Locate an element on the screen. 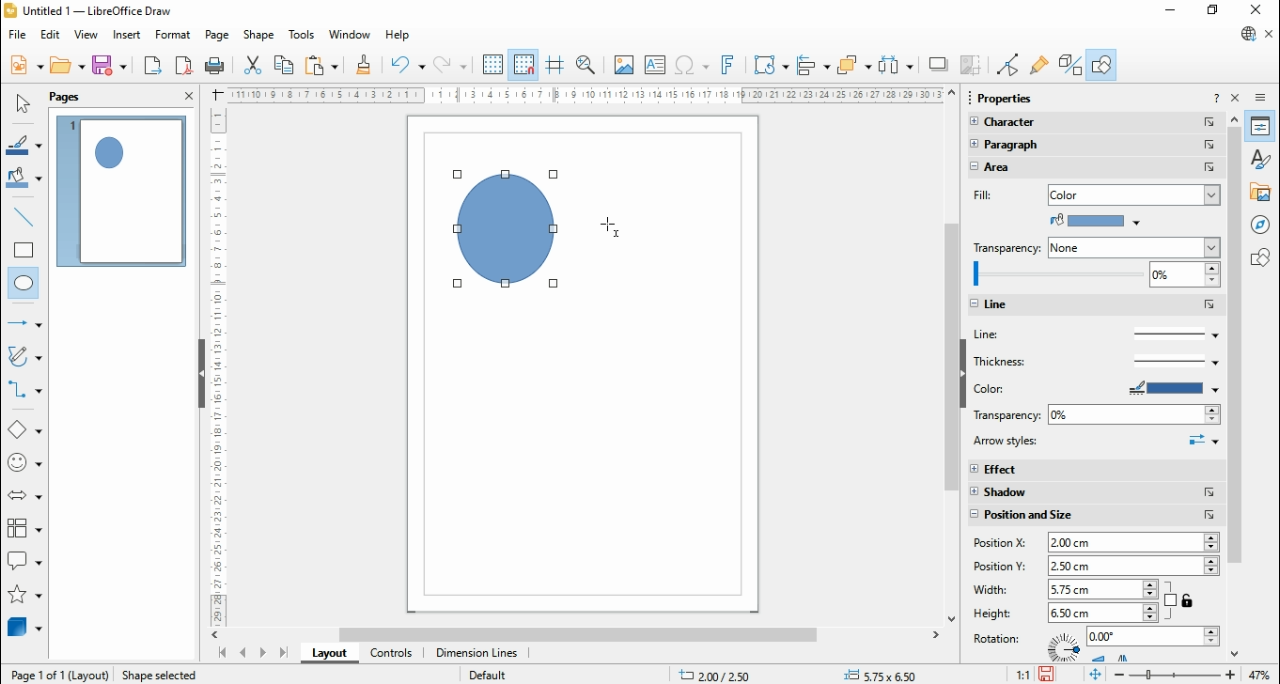 This screenshot has width=1280, height=684. insert image is located at coordinates (623, 64).